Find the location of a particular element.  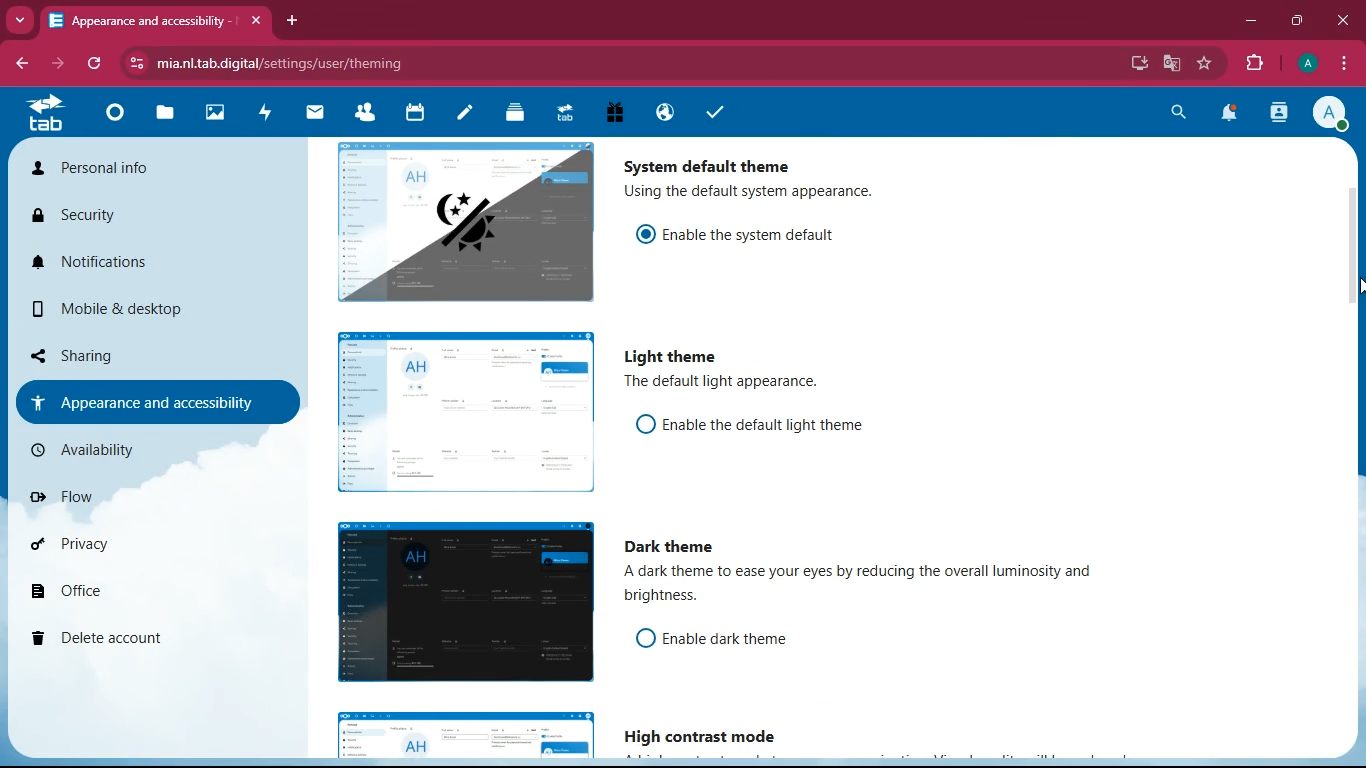

tab is located at coordinates (140, 20).